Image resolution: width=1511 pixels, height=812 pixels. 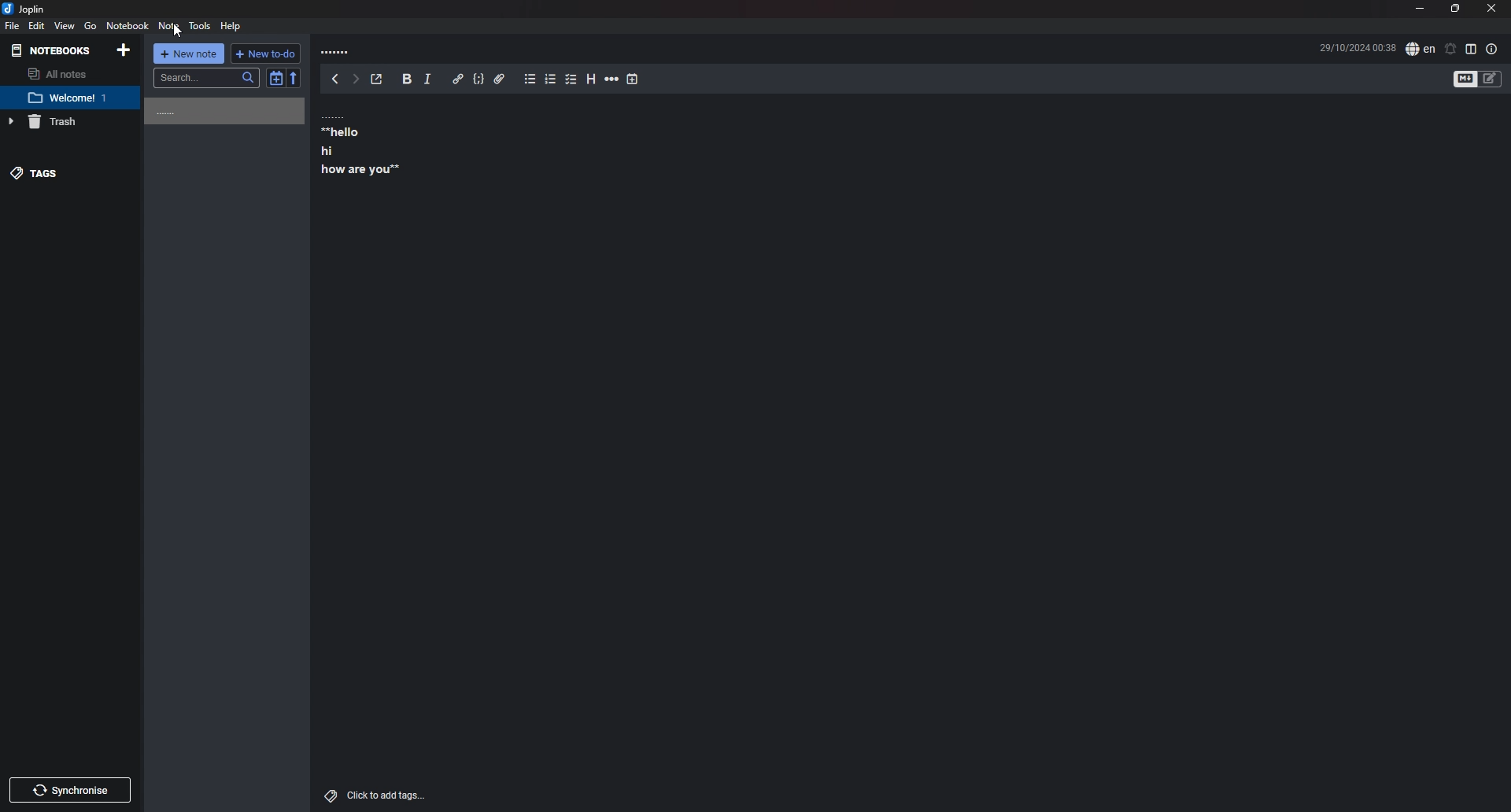 What do you see at coordinates (170, 25) in the screenshot?
I see `Note` at bounding box center [170, 25].